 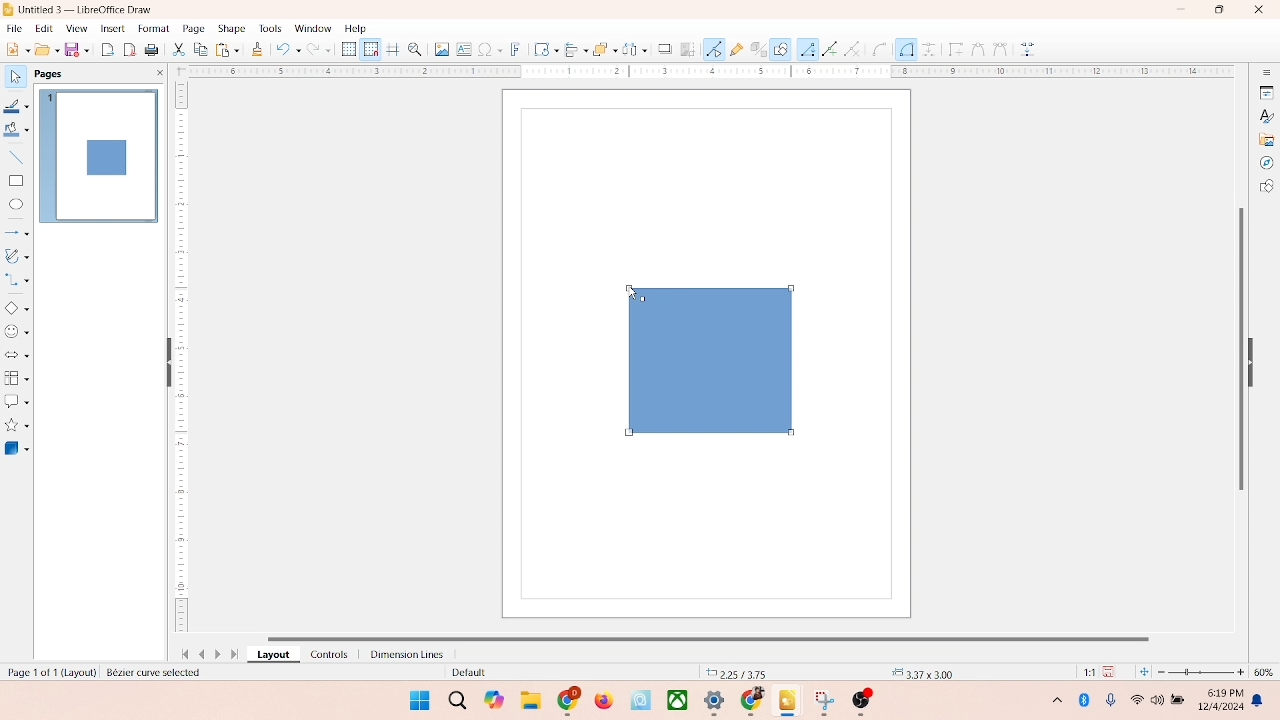 I want to click on Connector tool, so click(x=906, y=49).